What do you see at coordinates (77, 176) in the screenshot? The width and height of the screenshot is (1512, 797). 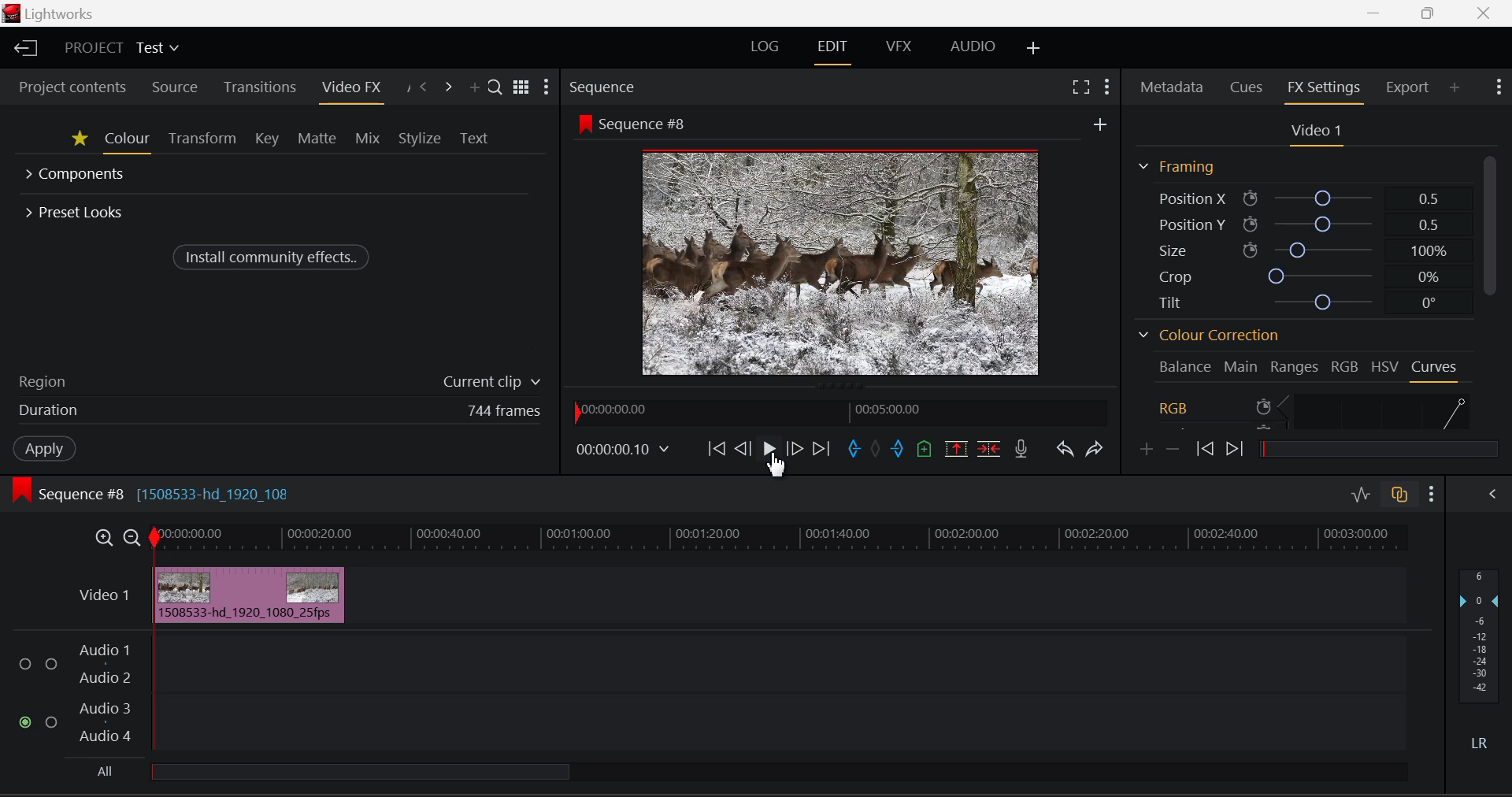 I see `Components Section` at bounding box center [77, 176].